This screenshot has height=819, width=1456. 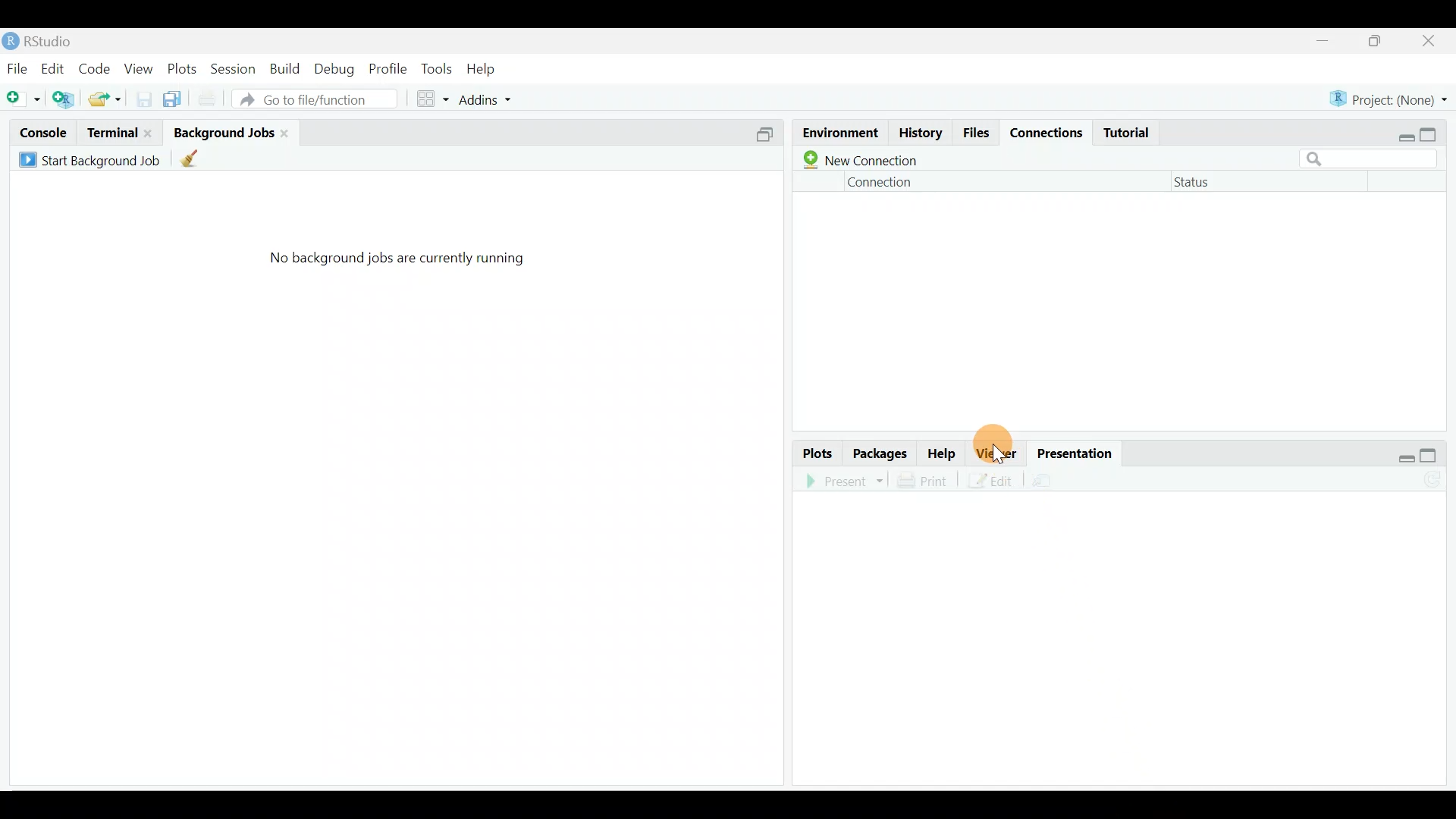 I want to click on Status, so click(x=1196, y=185).